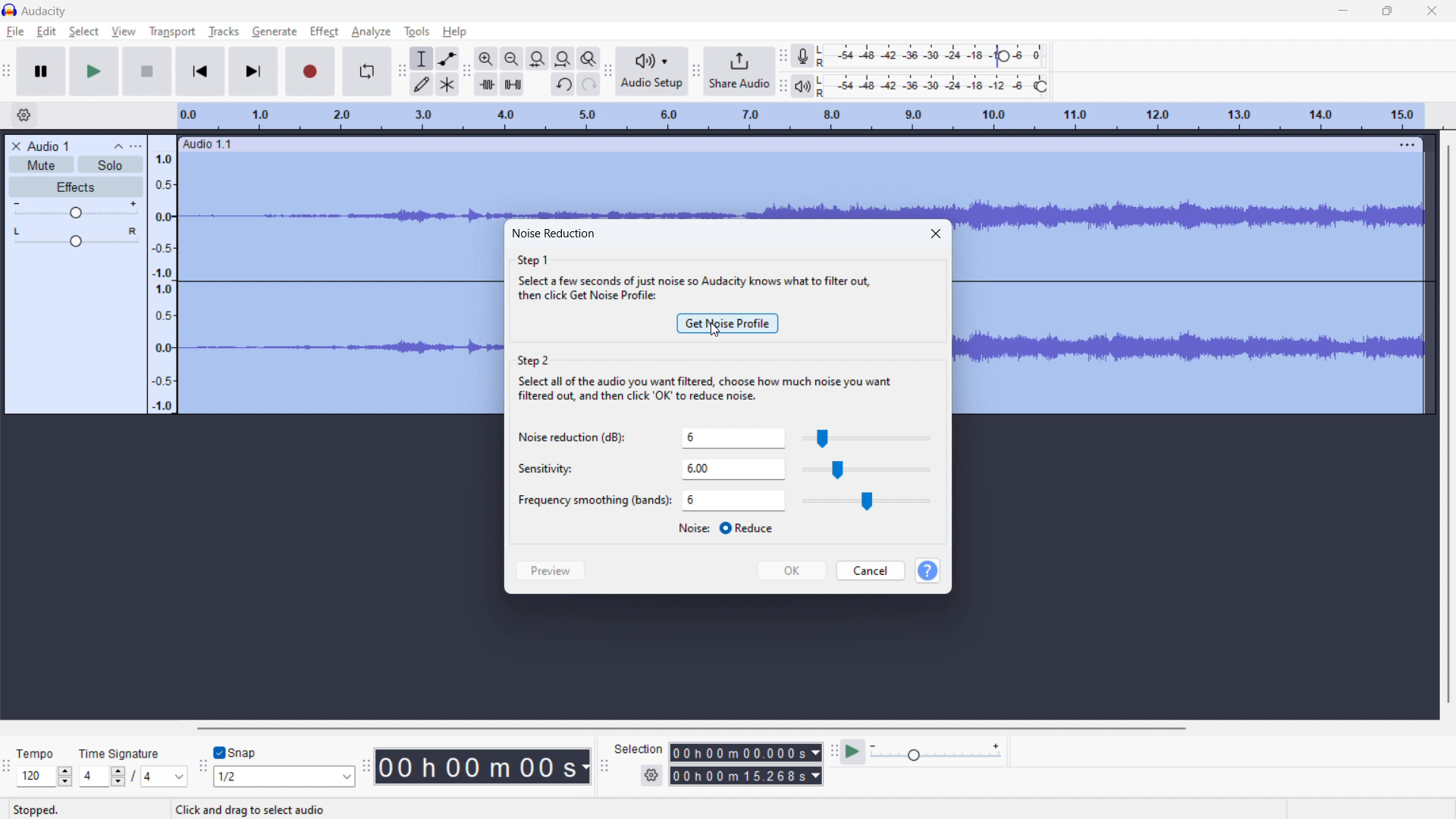  Describe the element at coordinates (1453, 424) in the screenshot. I see `vertical scrollbar` at that location.